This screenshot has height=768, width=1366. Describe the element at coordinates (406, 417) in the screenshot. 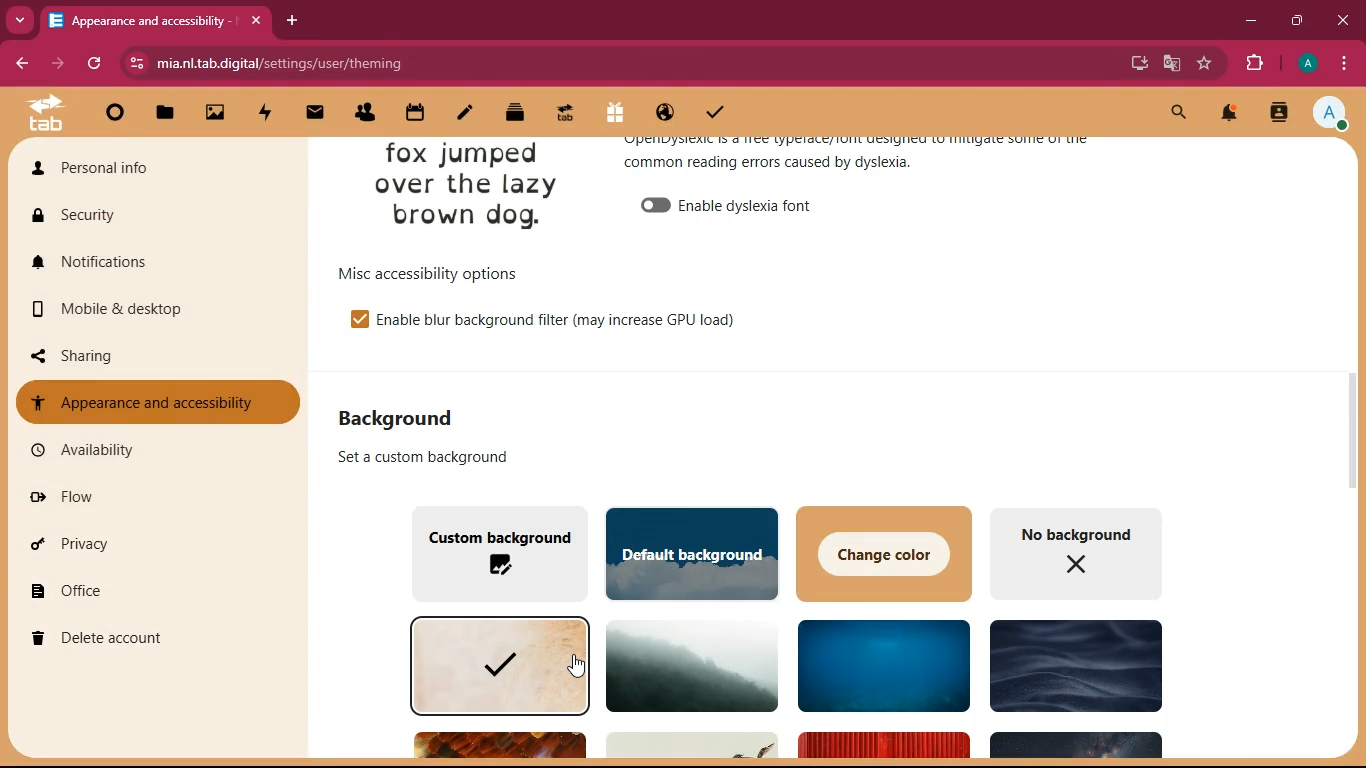

I see `background` at that location.